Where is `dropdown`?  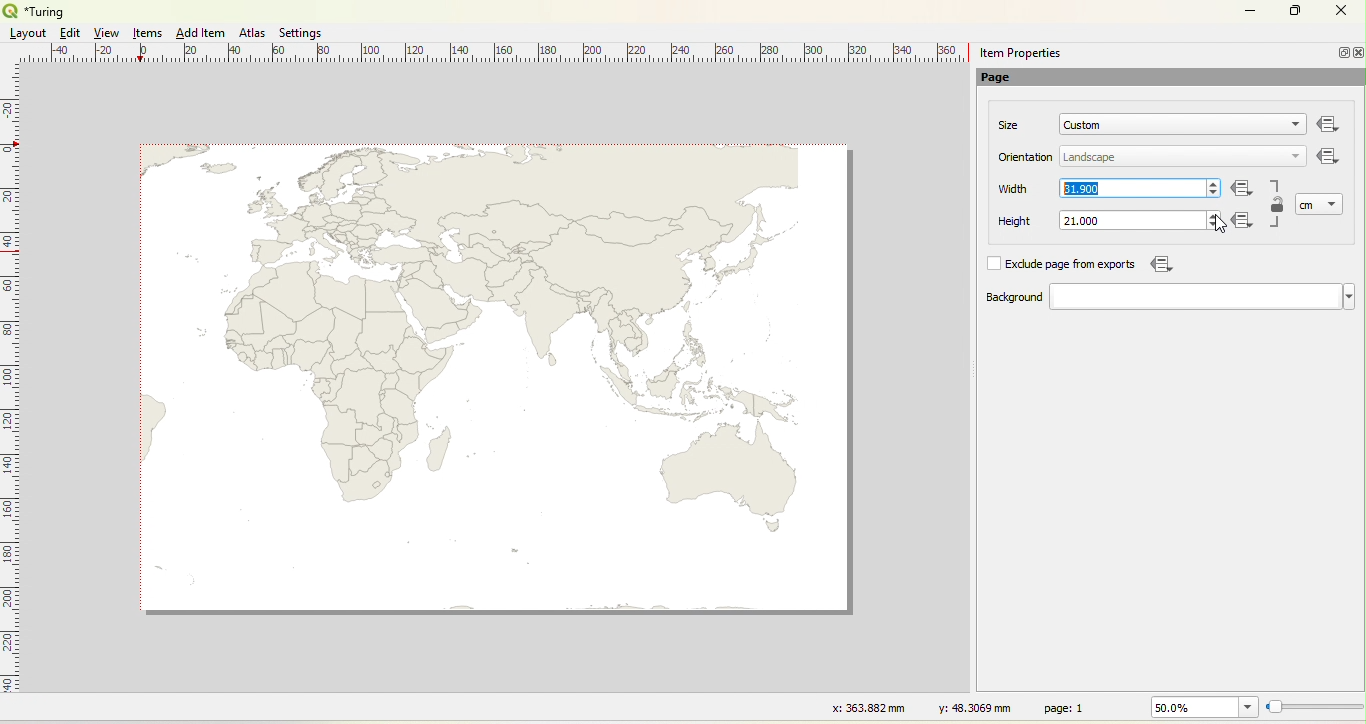 dropdown is located at coordinates (1291, 126).